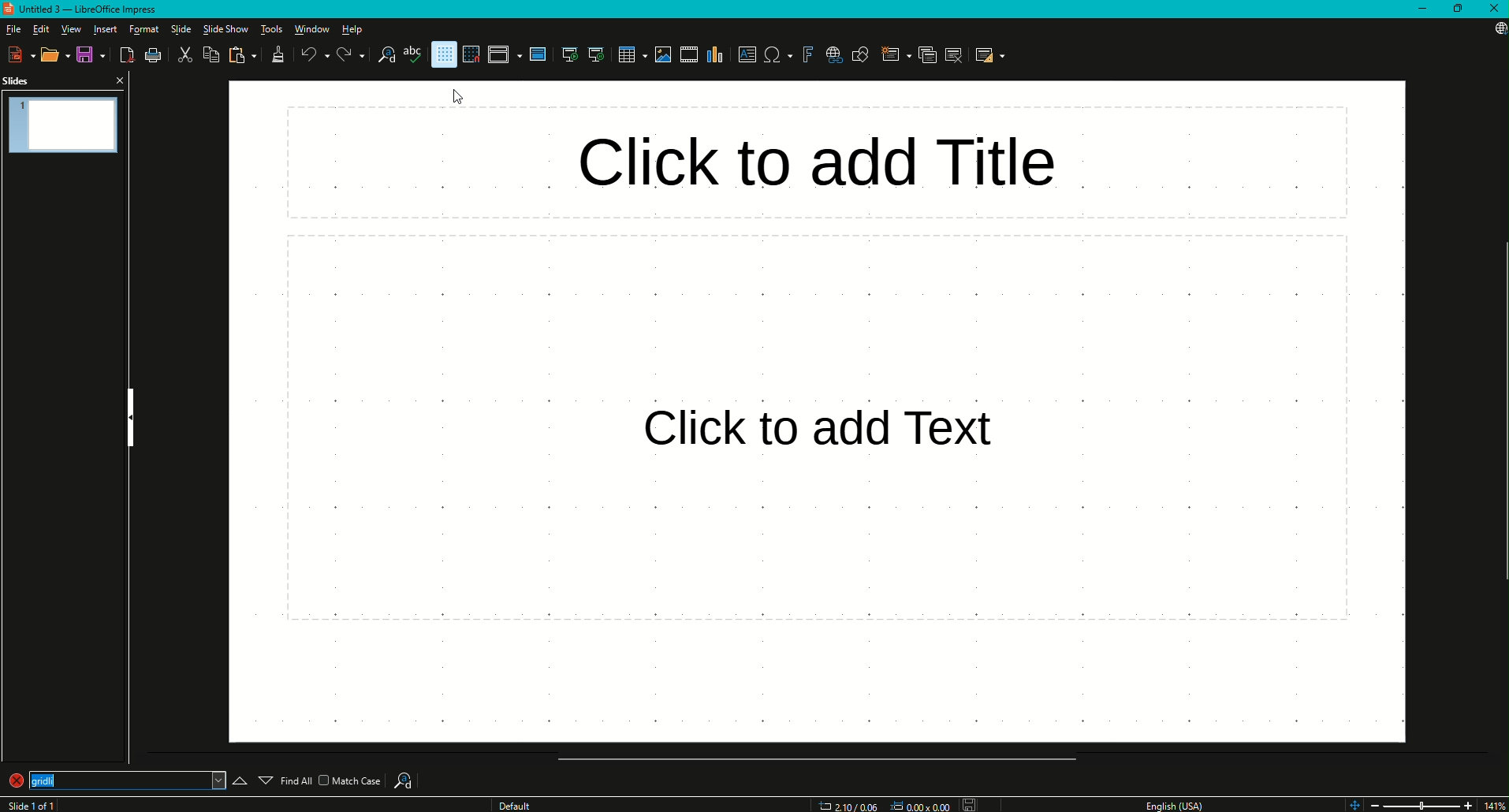  What do you see at coordinates (129, 414) in the screenshot?
I see `Hide` at bounding box center [129, 414].